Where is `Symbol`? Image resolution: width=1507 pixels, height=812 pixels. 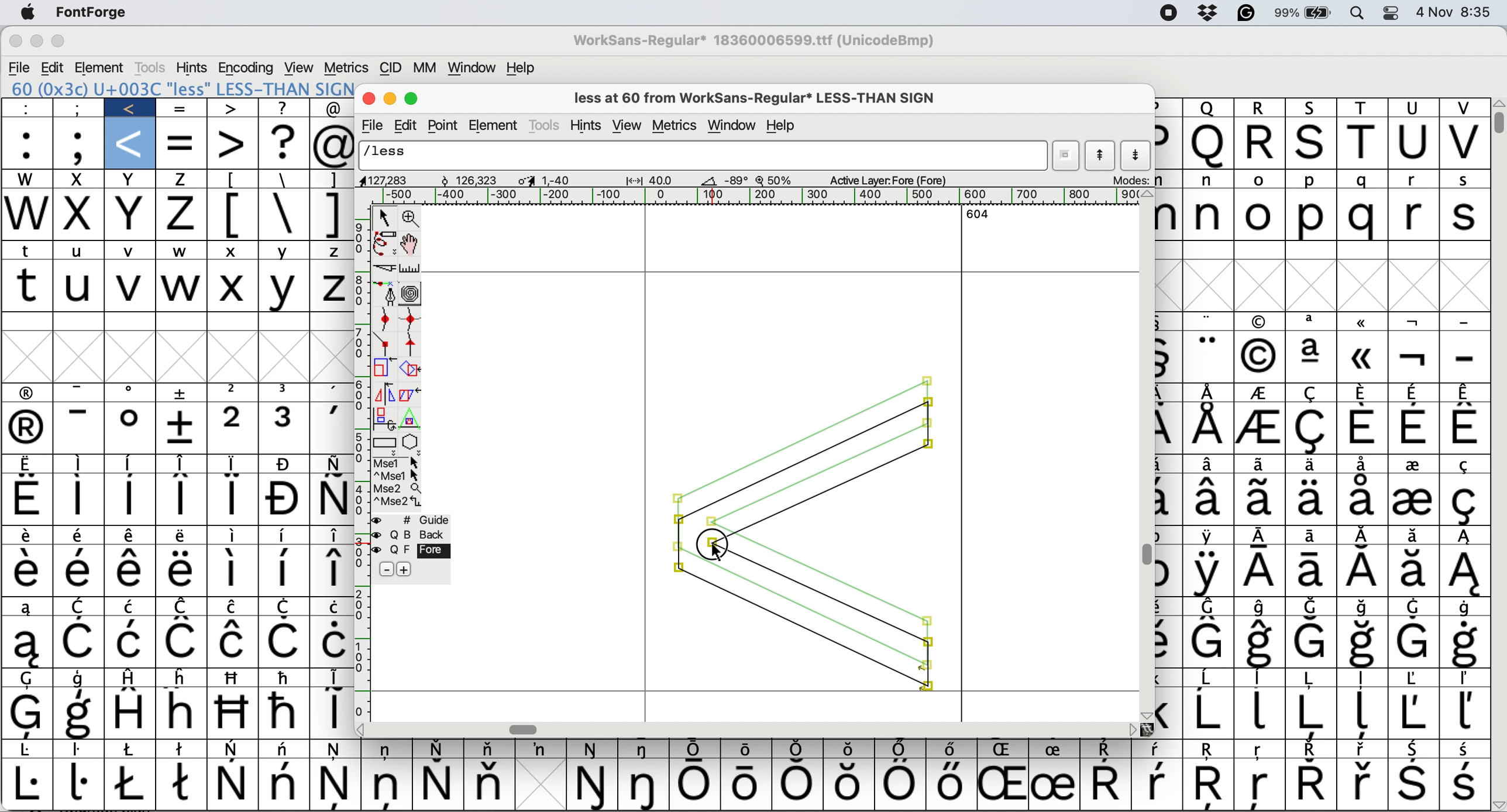
Symbol is located at coordinates (1261, 429).